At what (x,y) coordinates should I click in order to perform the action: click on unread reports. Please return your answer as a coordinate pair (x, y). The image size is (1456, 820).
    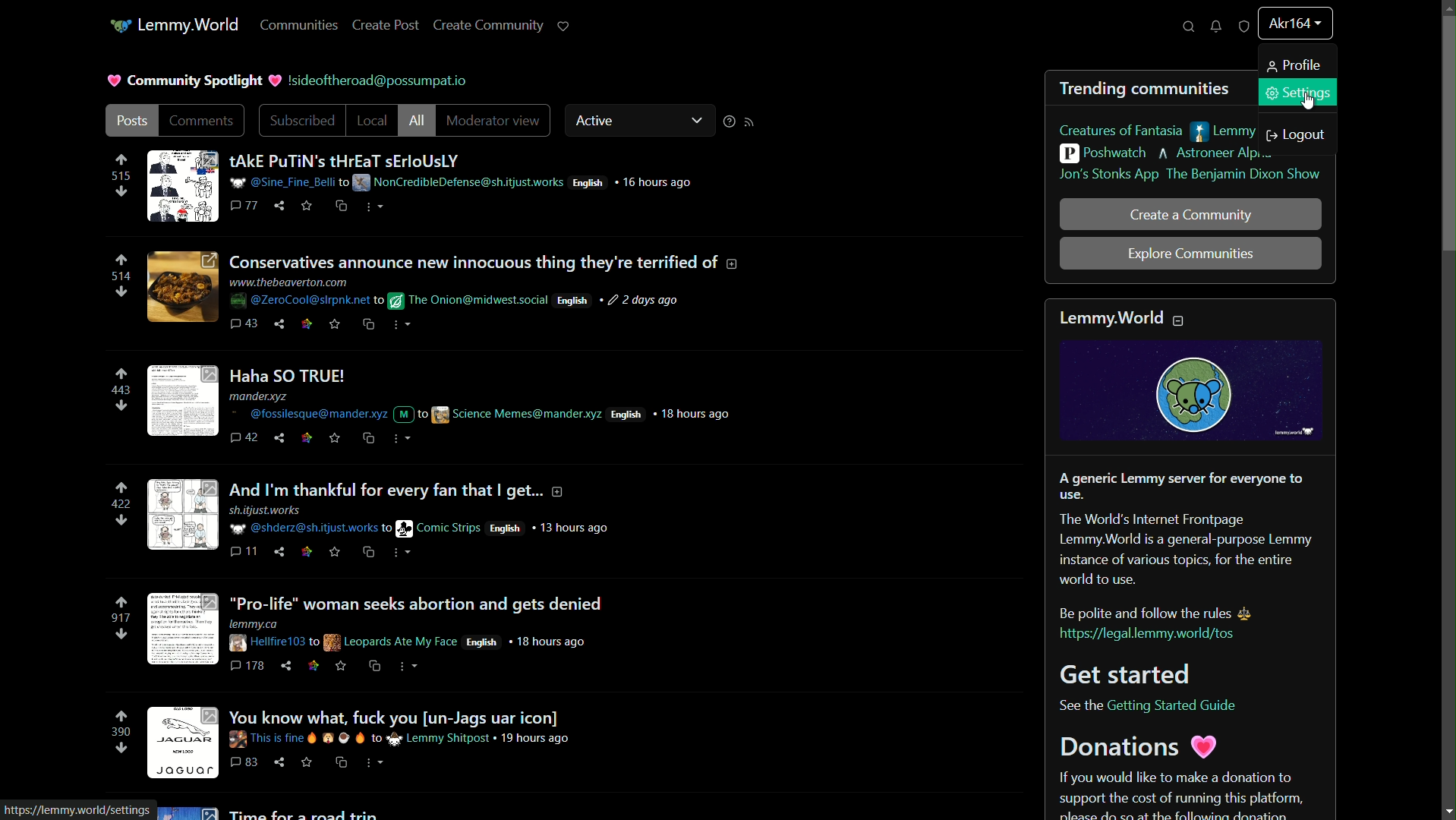
    Looking at the image, I should click on (1243, 27).